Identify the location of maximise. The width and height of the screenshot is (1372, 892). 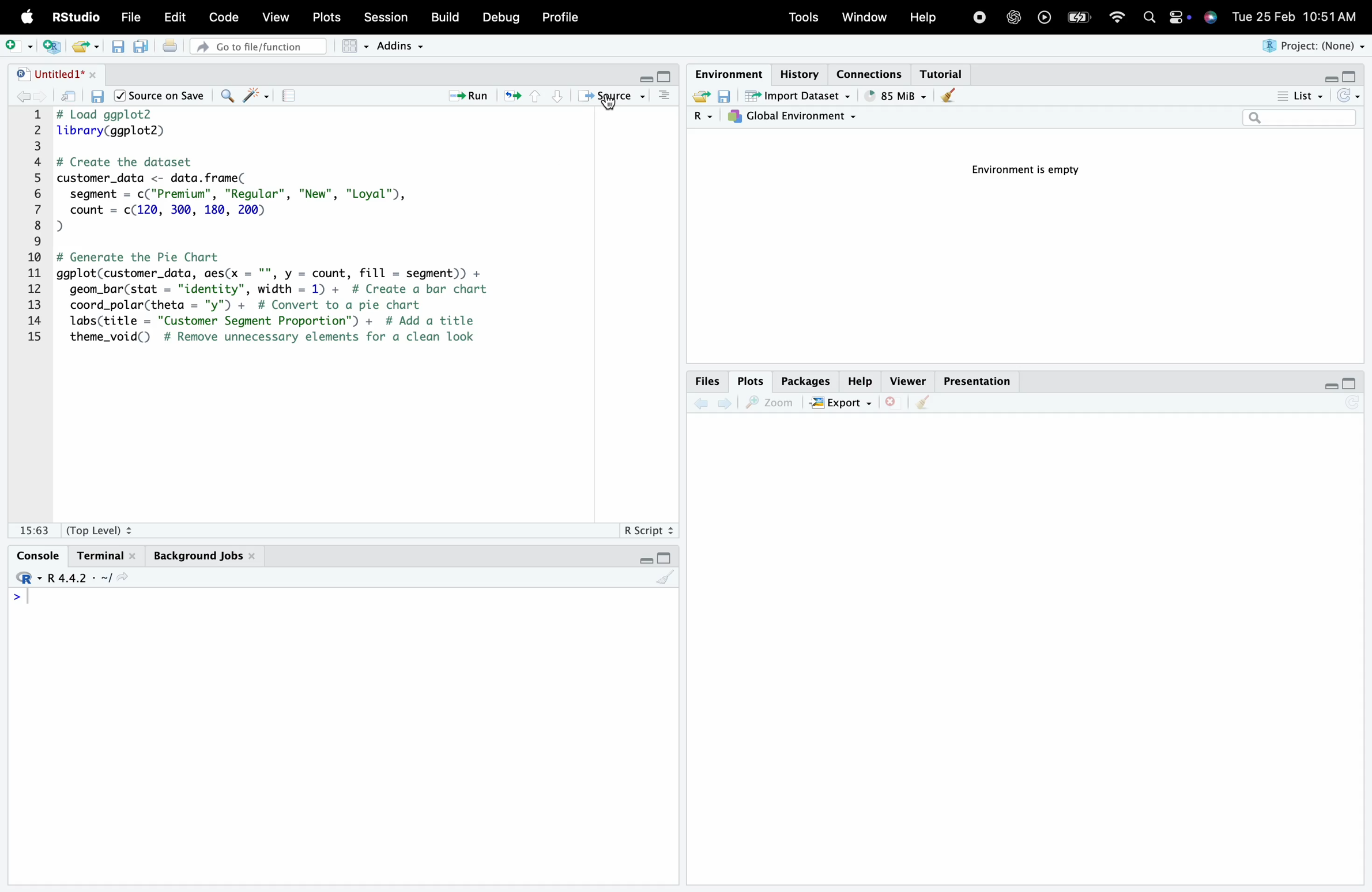
(1352, 383).